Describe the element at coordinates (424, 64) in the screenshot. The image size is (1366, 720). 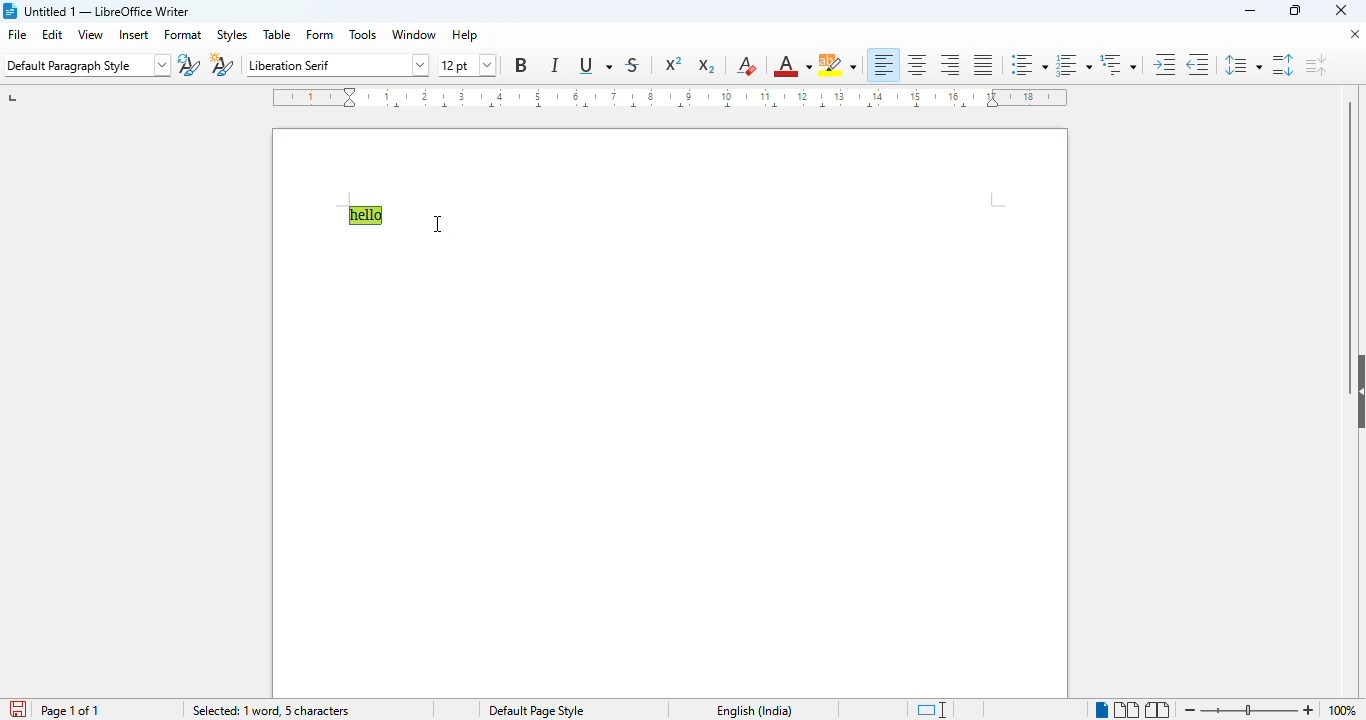
I see `dropdown` at that location.